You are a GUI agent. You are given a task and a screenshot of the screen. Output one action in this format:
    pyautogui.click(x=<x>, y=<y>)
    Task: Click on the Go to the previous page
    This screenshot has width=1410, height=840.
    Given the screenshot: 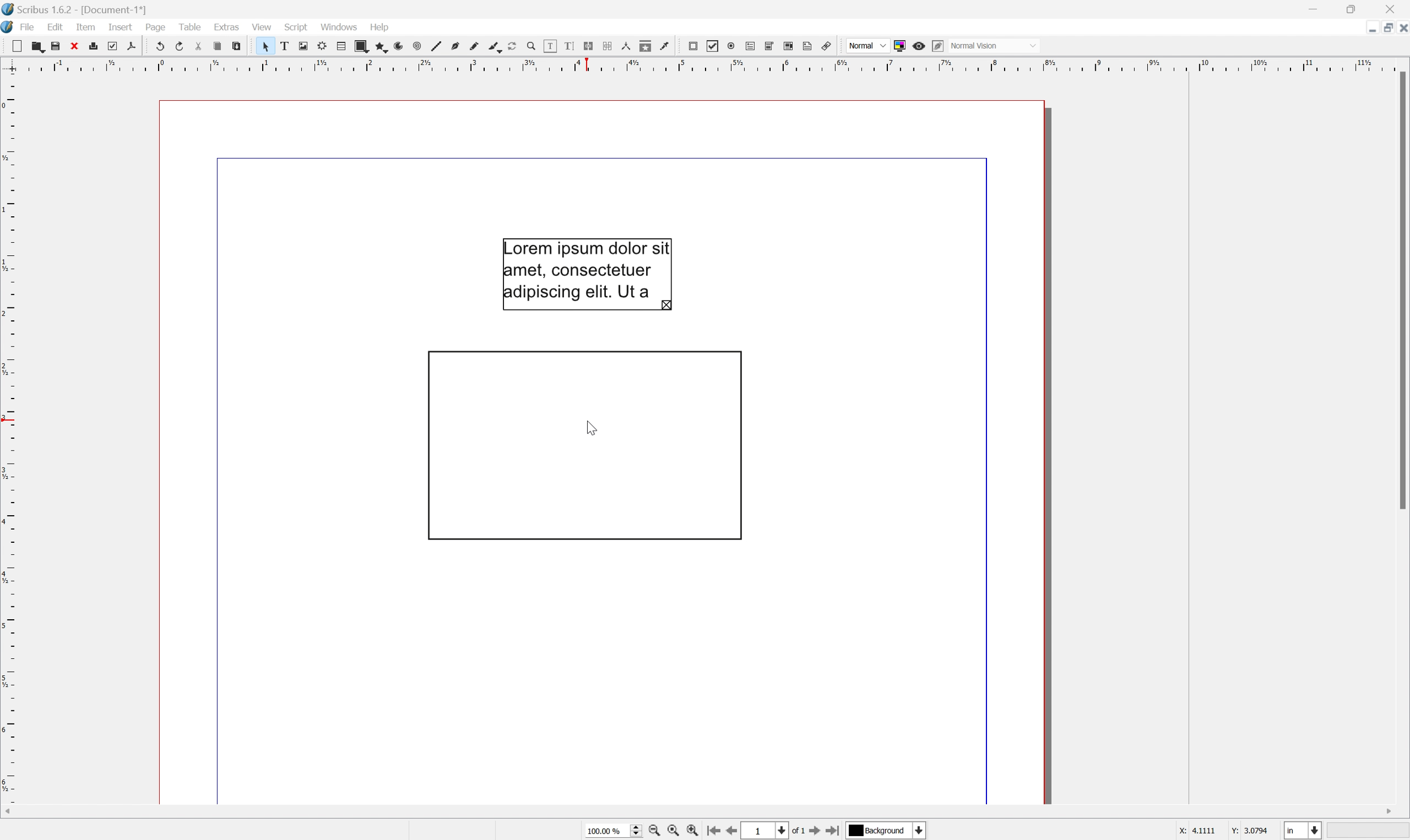 What is the action you would take?
    pyautogui.click(x=735, y=830)
    